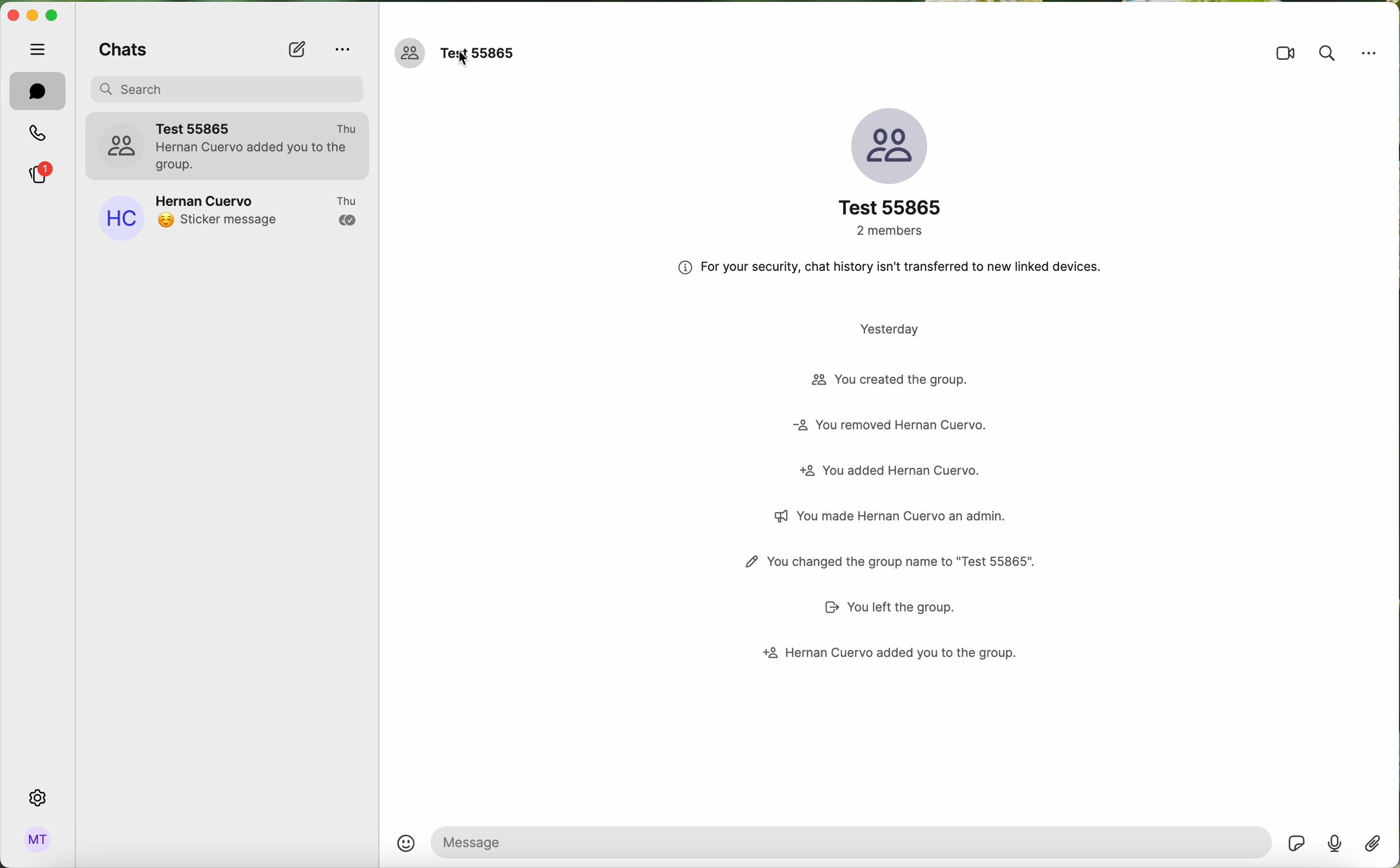  What do you see at coordinates (39, 172) in the screenshot?
I see `stories` at bounding box center [39, 172].